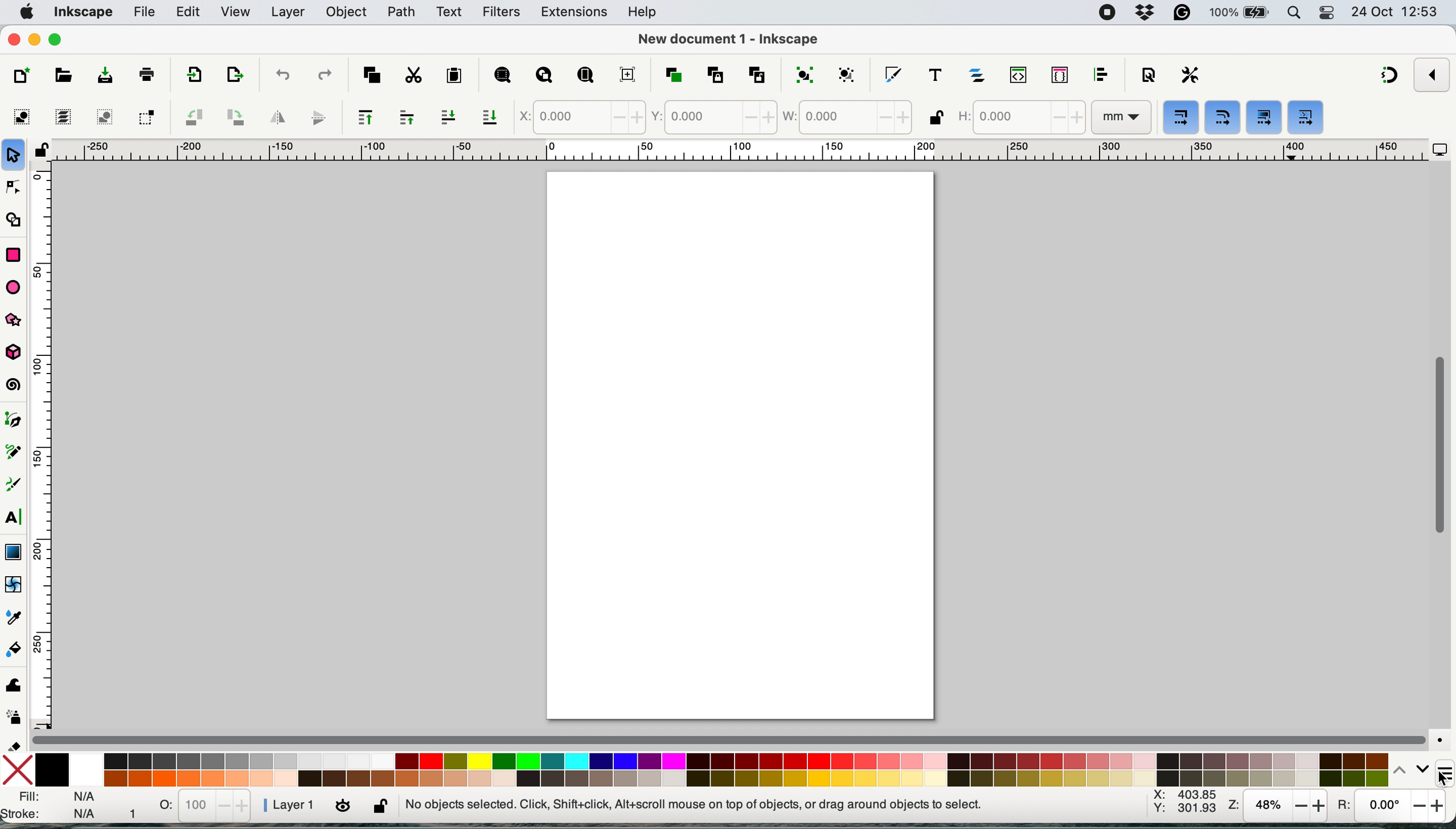  I want to click on layers and objects, so click(982, 72).